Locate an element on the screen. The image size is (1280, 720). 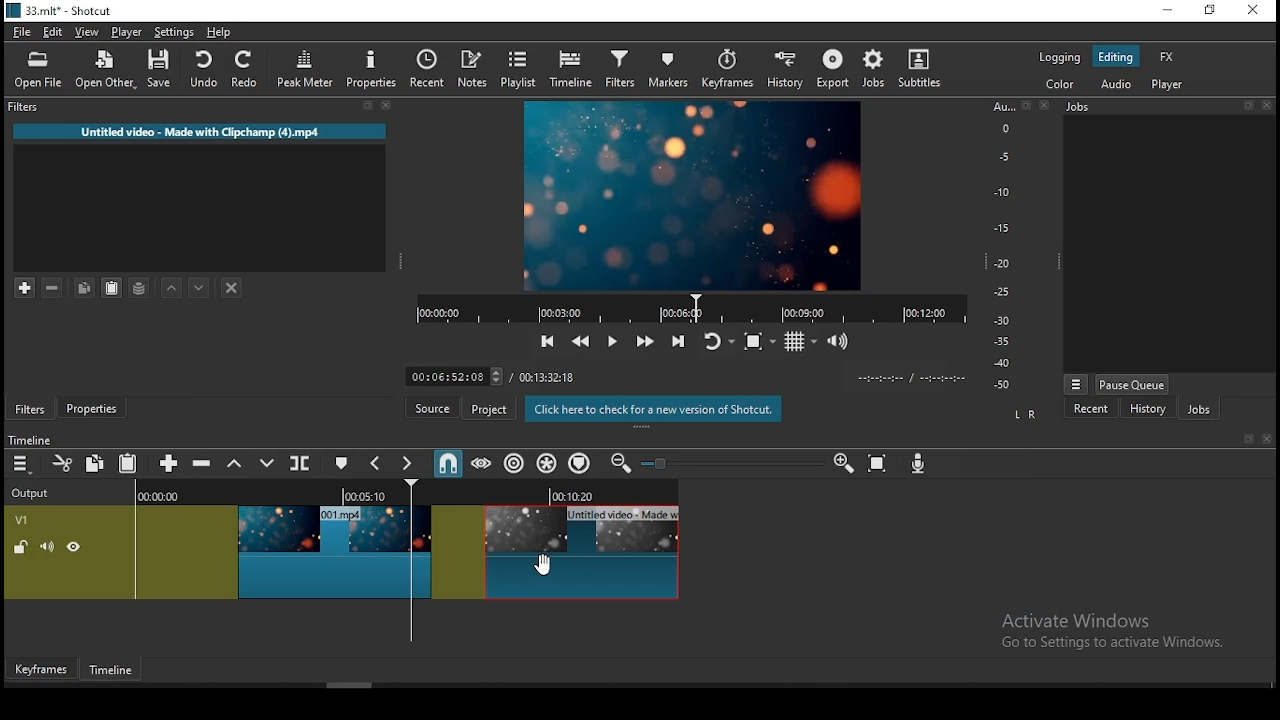
properties is located at coordinates (94, 408).